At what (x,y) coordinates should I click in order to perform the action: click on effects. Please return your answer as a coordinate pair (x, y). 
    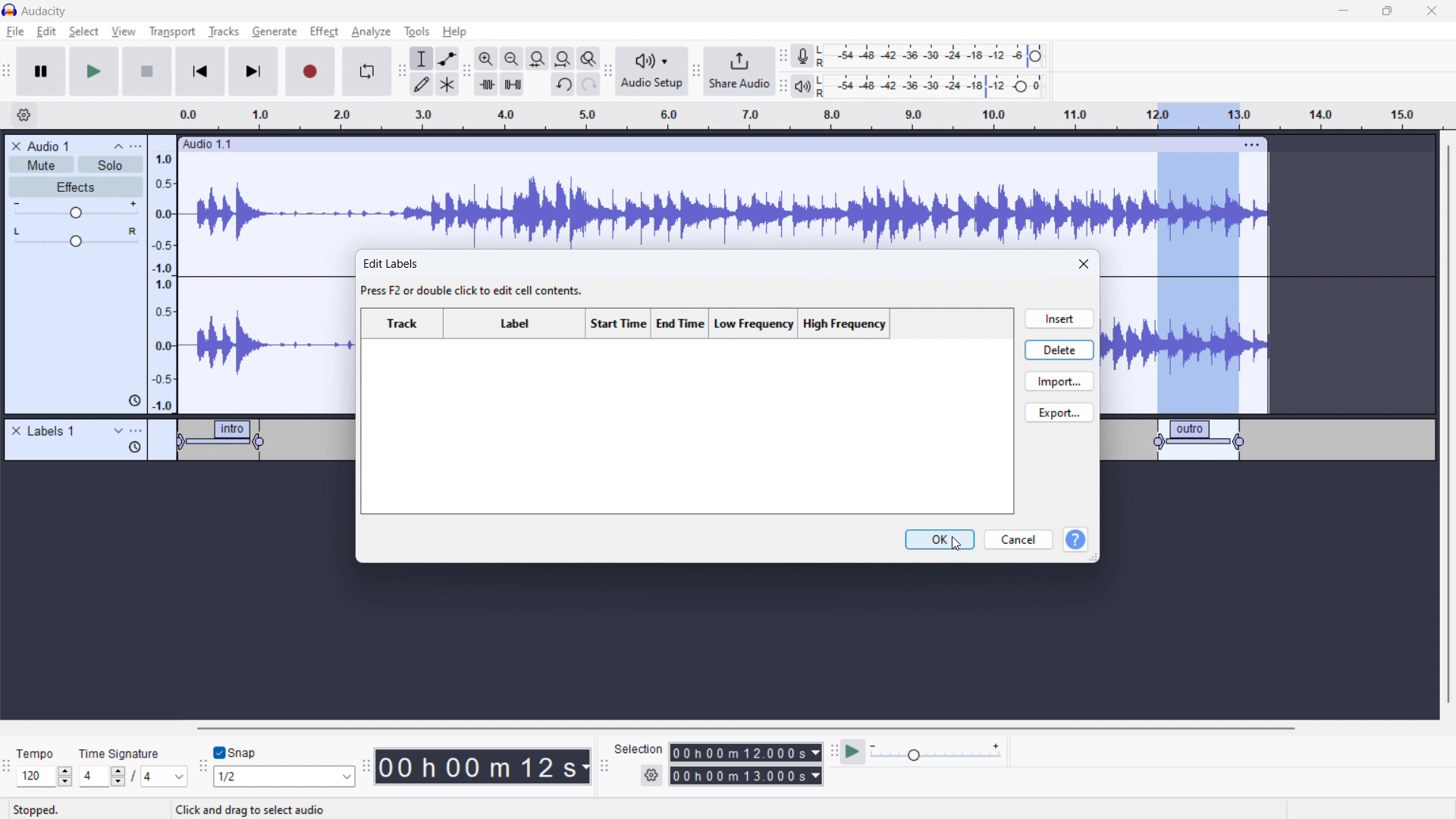
    Looking at the image, I should click on (77, 187).